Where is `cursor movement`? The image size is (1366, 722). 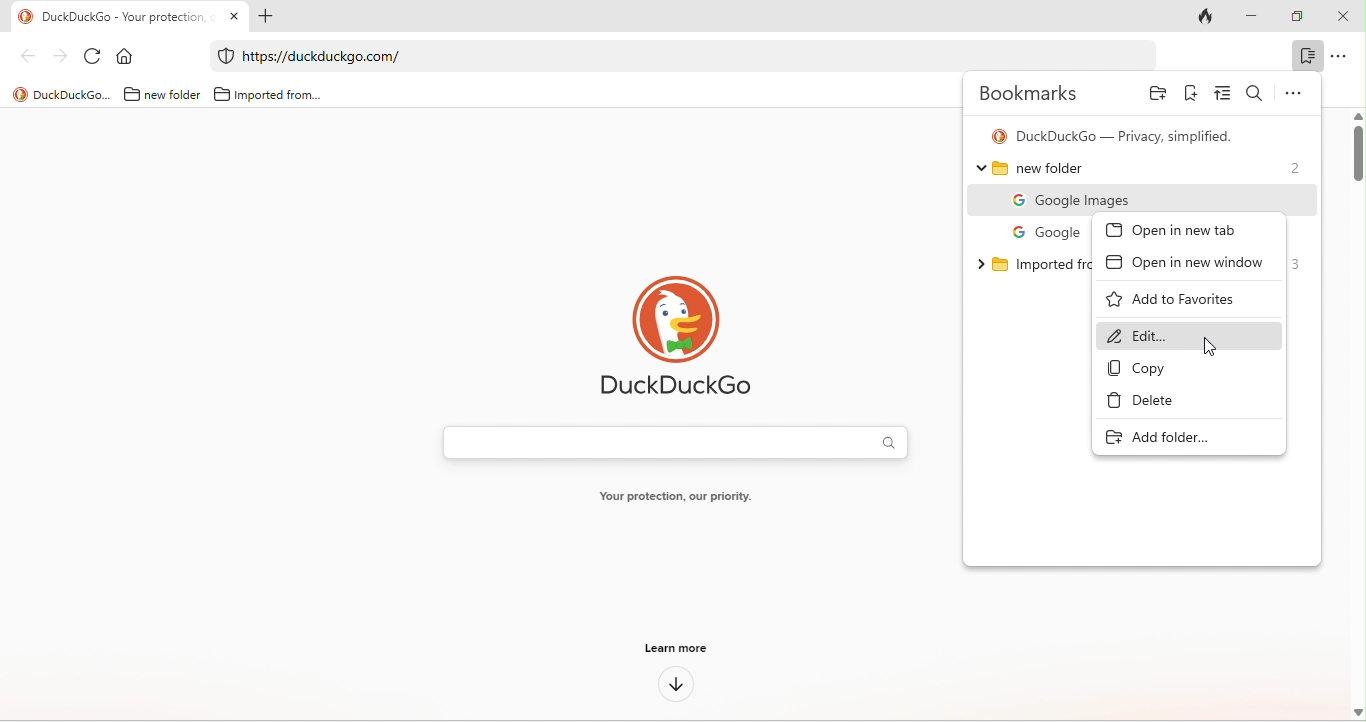
cursor movement is located at coordinates (1208, 346).